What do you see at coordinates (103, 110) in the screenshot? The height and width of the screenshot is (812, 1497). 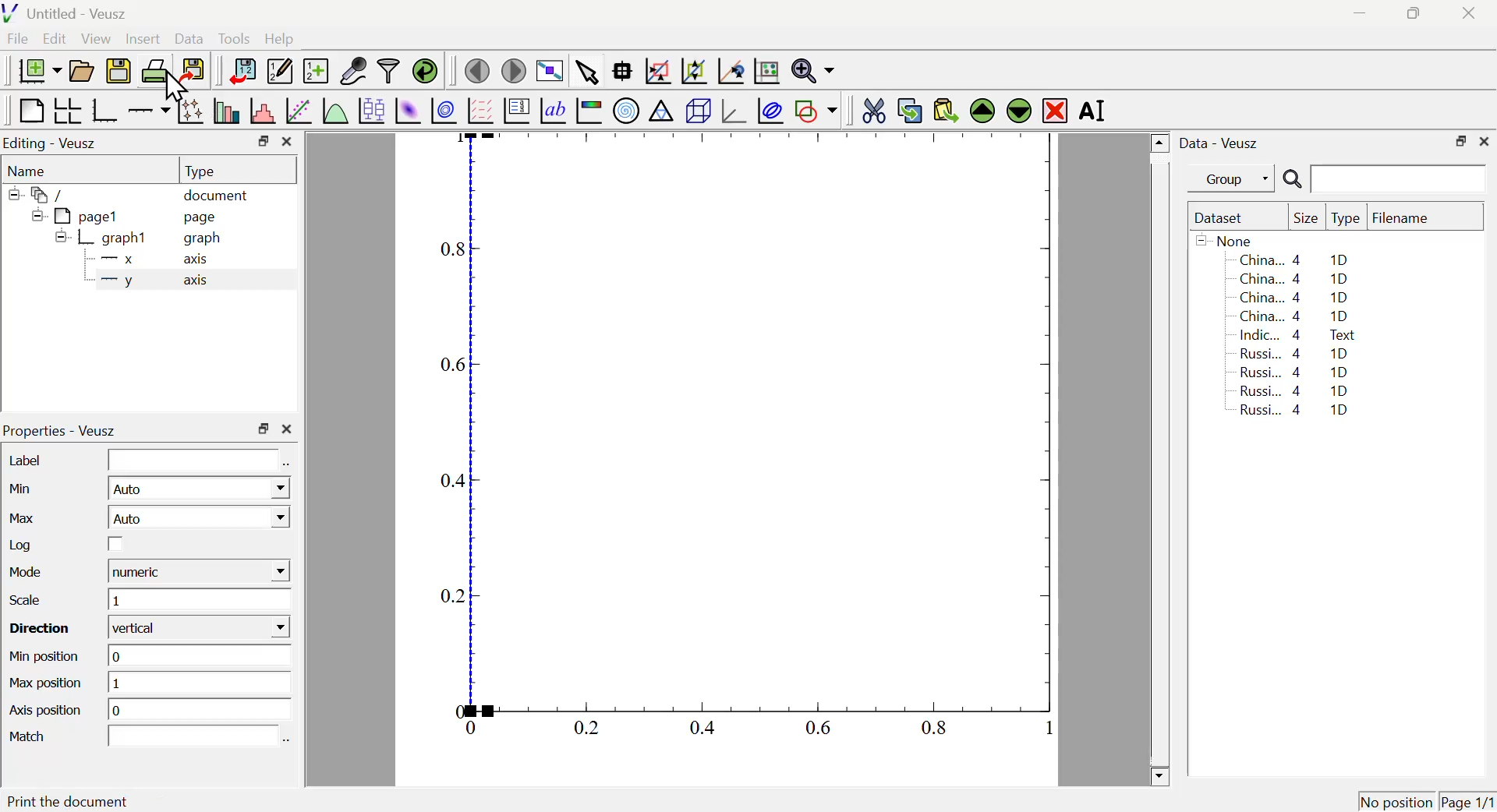 I see `Base Graph` at bounding box center [103, 110].